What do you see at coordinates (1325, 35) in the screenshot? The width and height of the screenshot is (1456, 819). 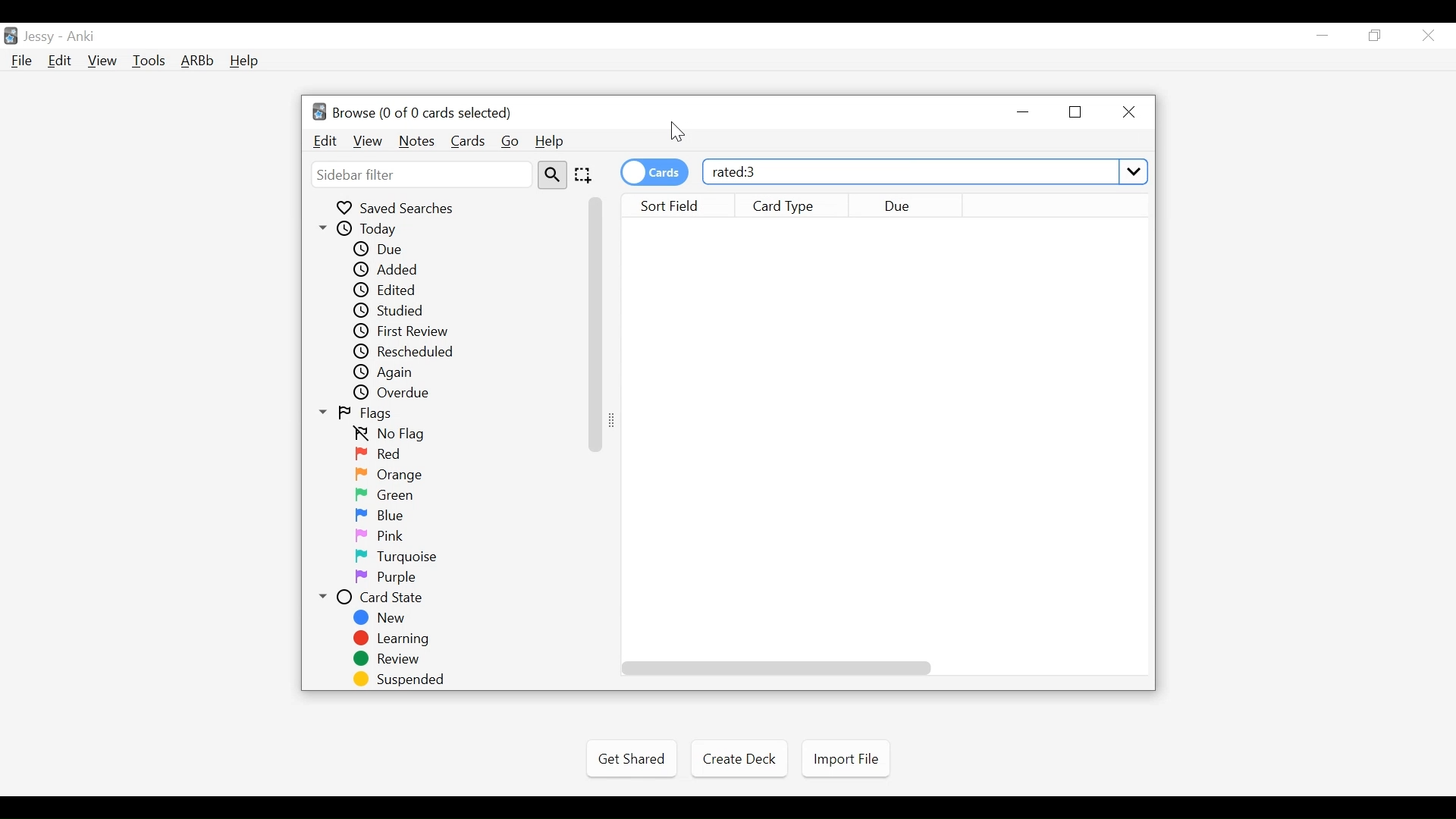 I see `minimize` at bounding box center [1325, 35].